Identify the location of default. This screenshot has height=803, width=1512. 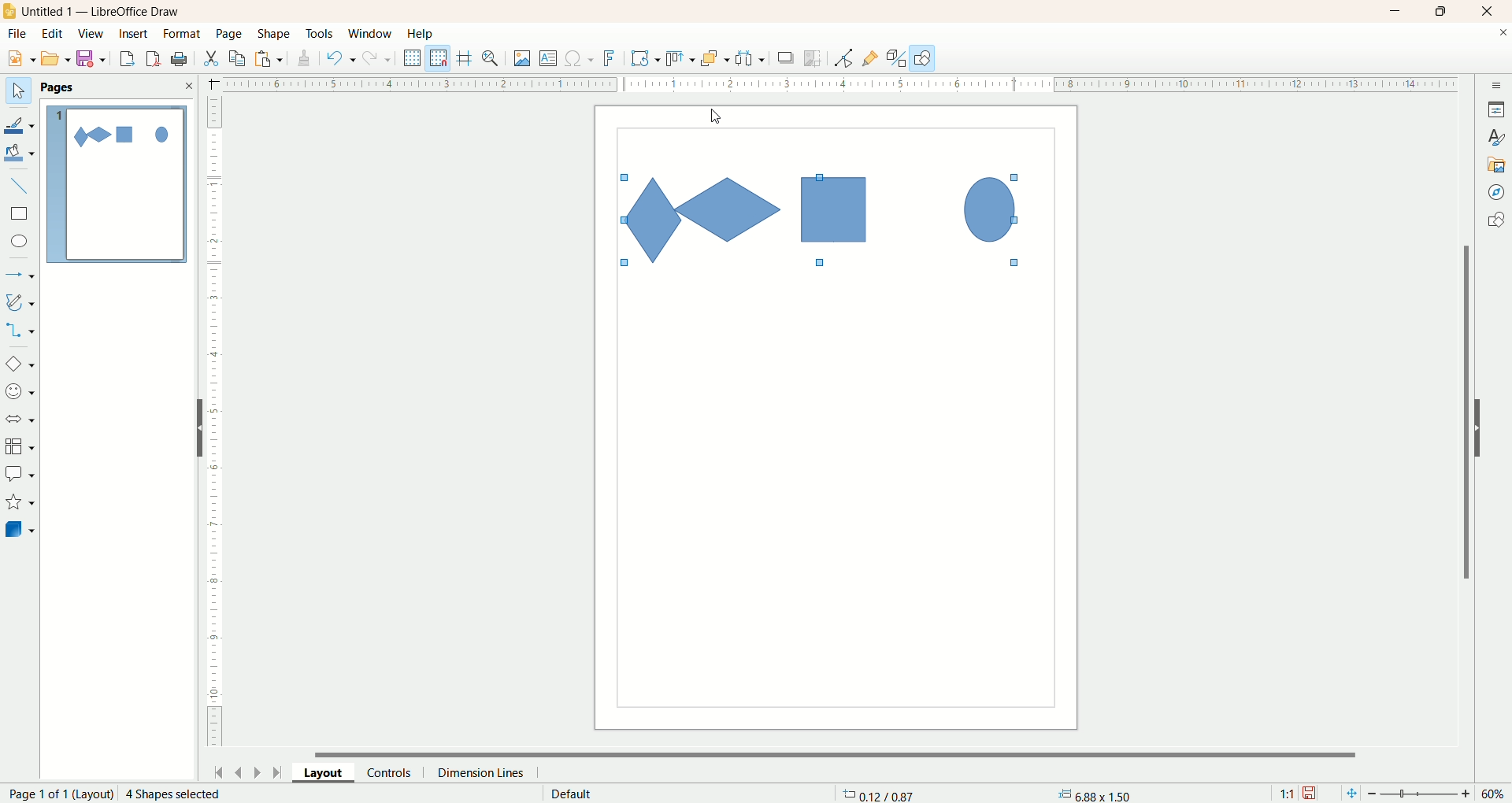
(573, 794).